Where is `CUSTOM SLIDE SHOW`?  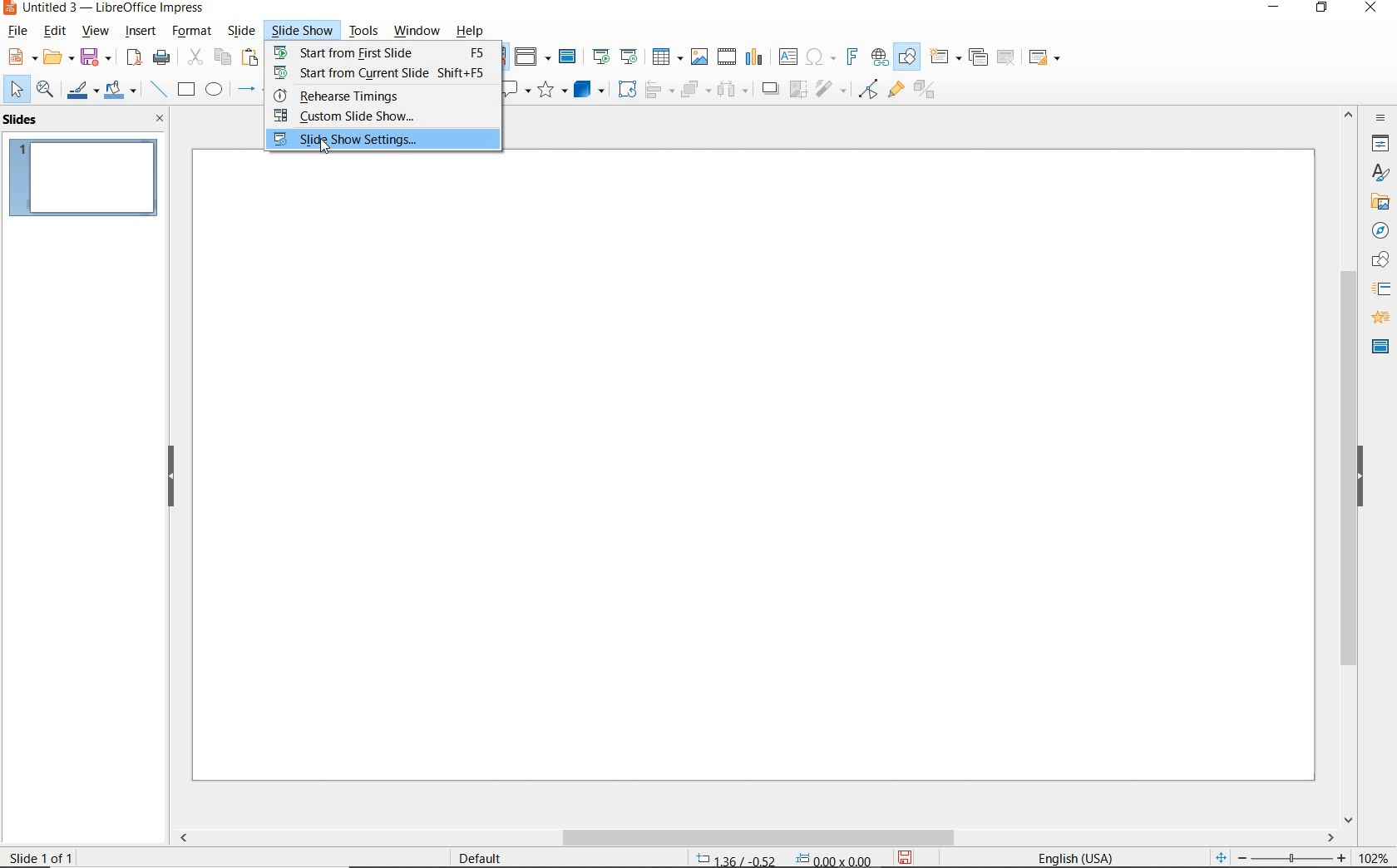 CUSTOM SLIDE SHOW is located at coordinates (380, 118).